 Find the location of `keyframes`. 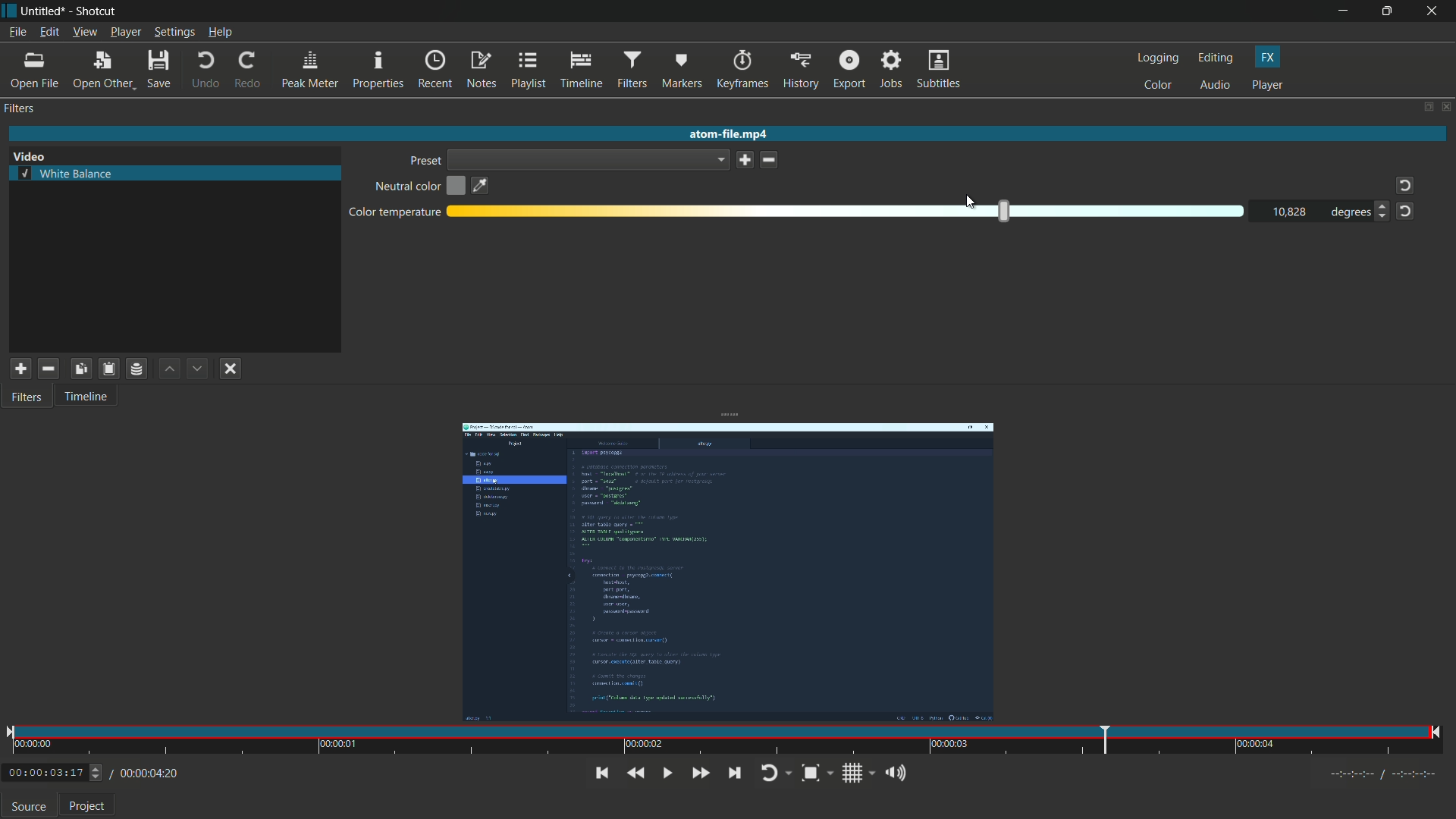

keyframes is located at coordinates (743, 69).